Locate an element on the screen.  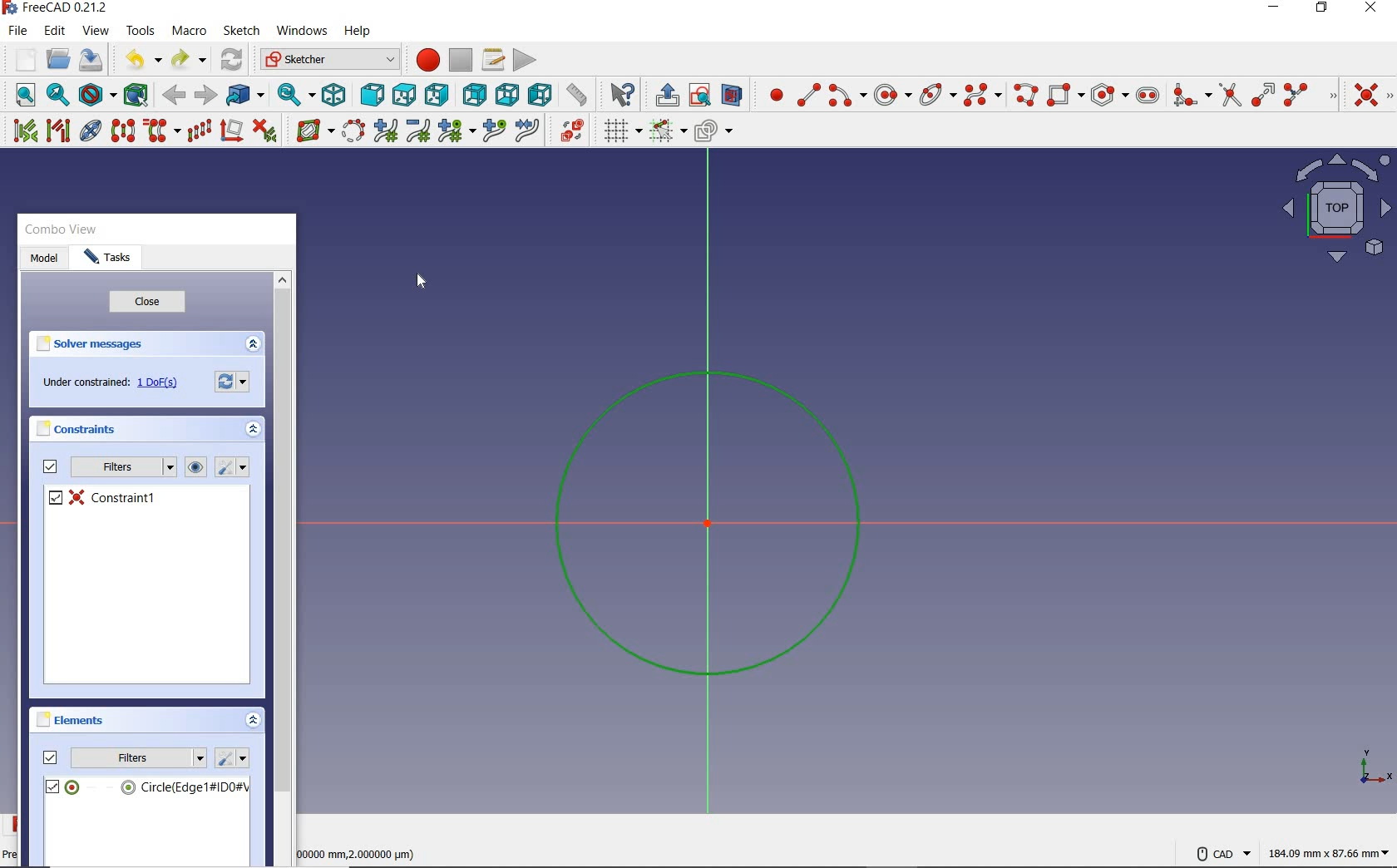
filters is located at coordinates (124, 757).